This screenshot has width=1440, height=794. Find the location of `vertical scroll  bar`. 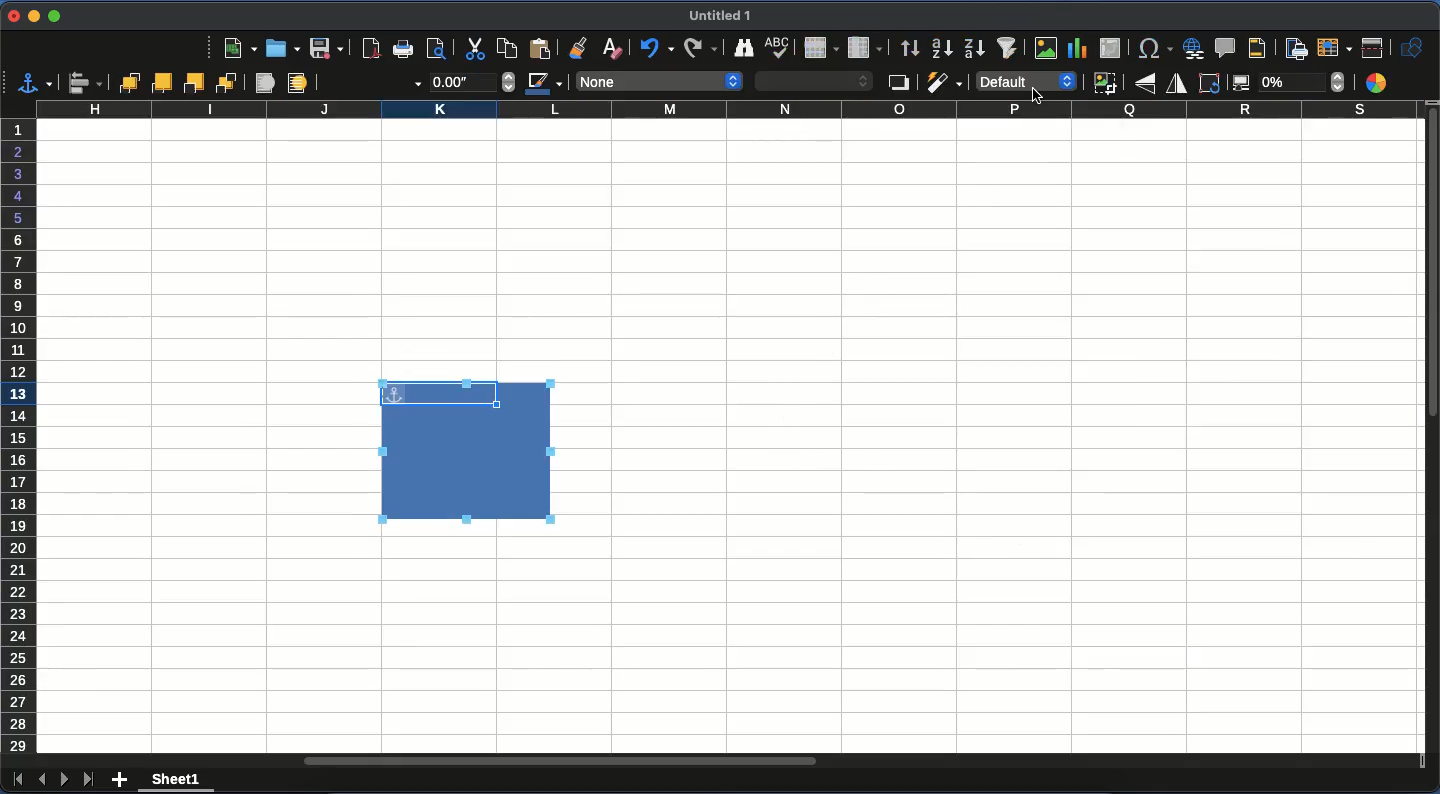

vertical scroll  bar is located at coordinates (1431, 266).